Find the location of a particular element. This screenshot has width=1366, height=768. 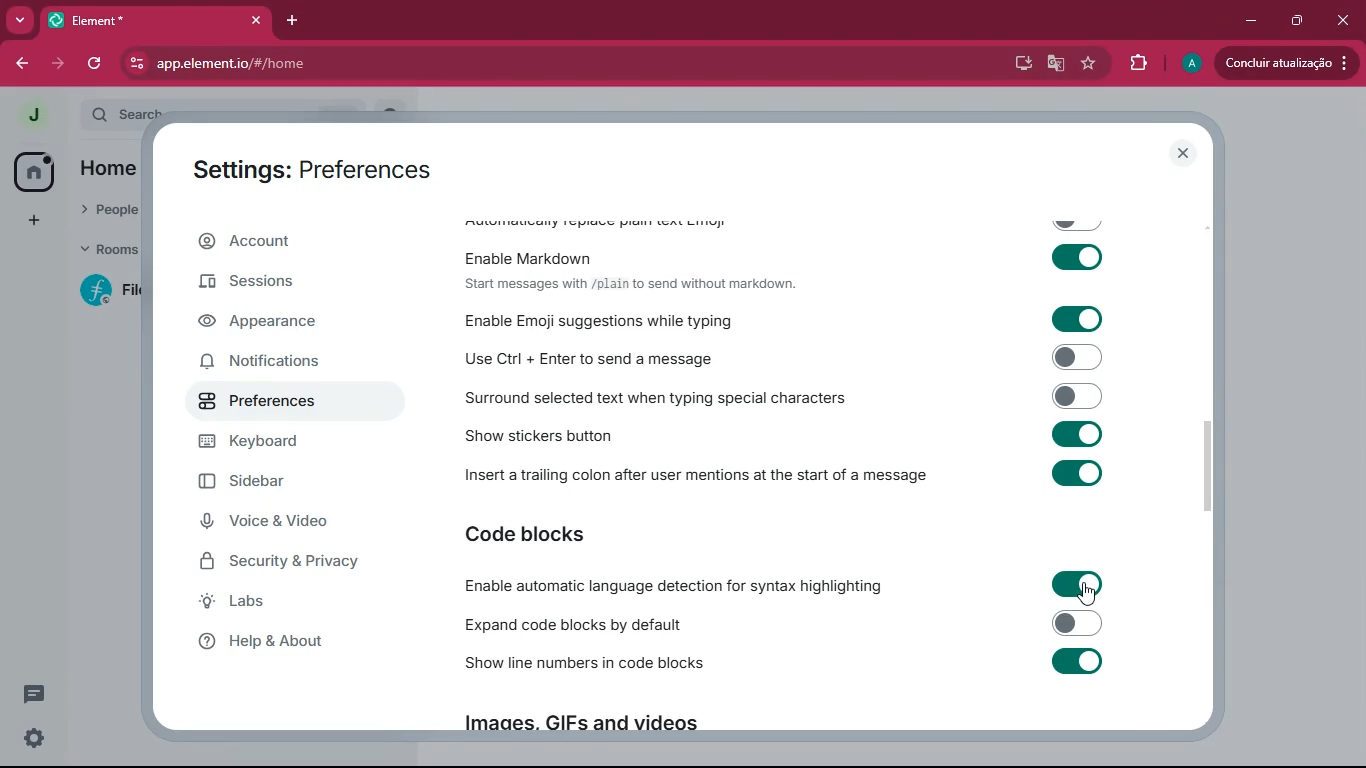

appearance is located at coordinates (279, 324).